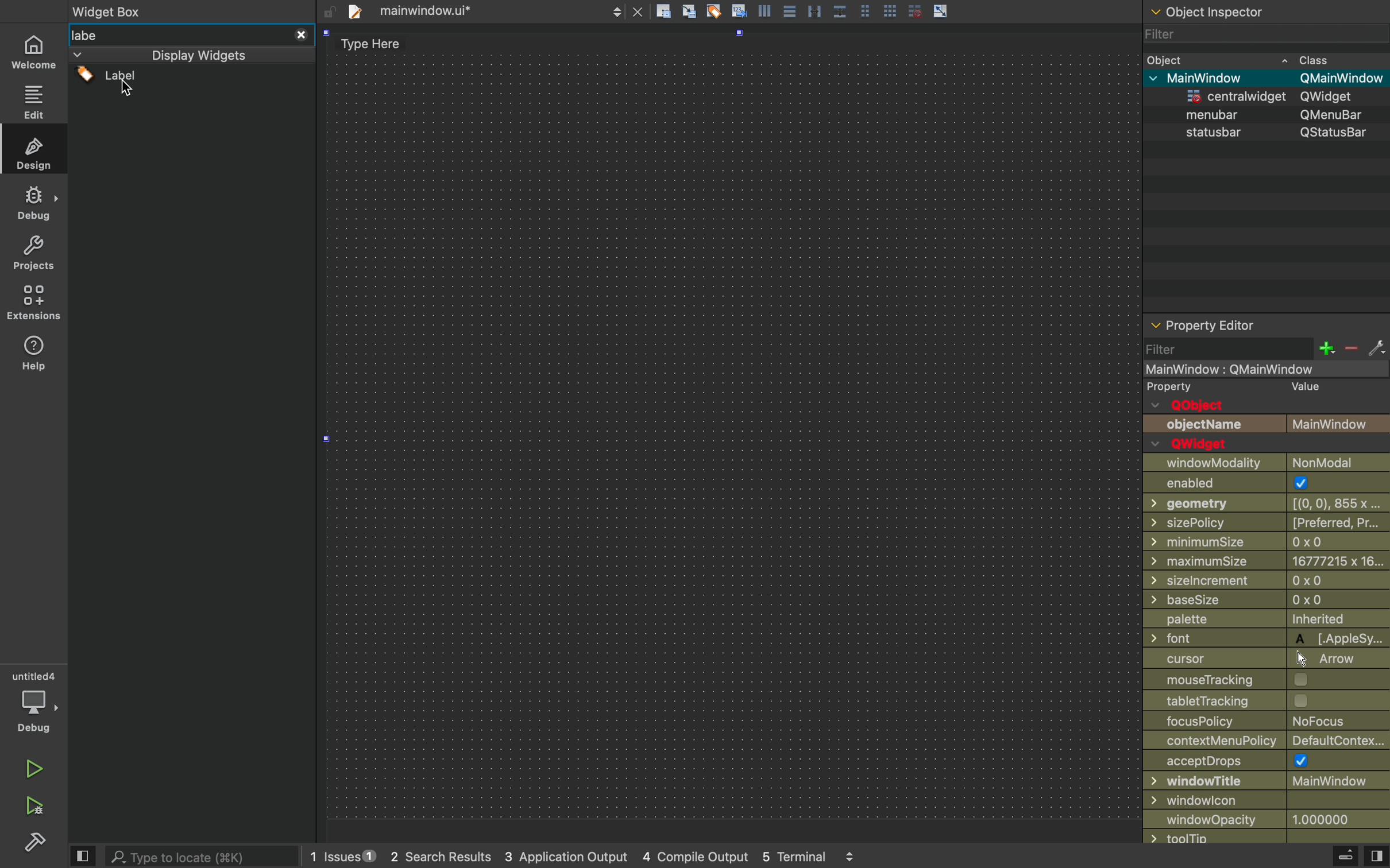  What do you see at coordinates (129, 91) in the screenshot?
I see `Cursor` at bounding box center [129, 91].